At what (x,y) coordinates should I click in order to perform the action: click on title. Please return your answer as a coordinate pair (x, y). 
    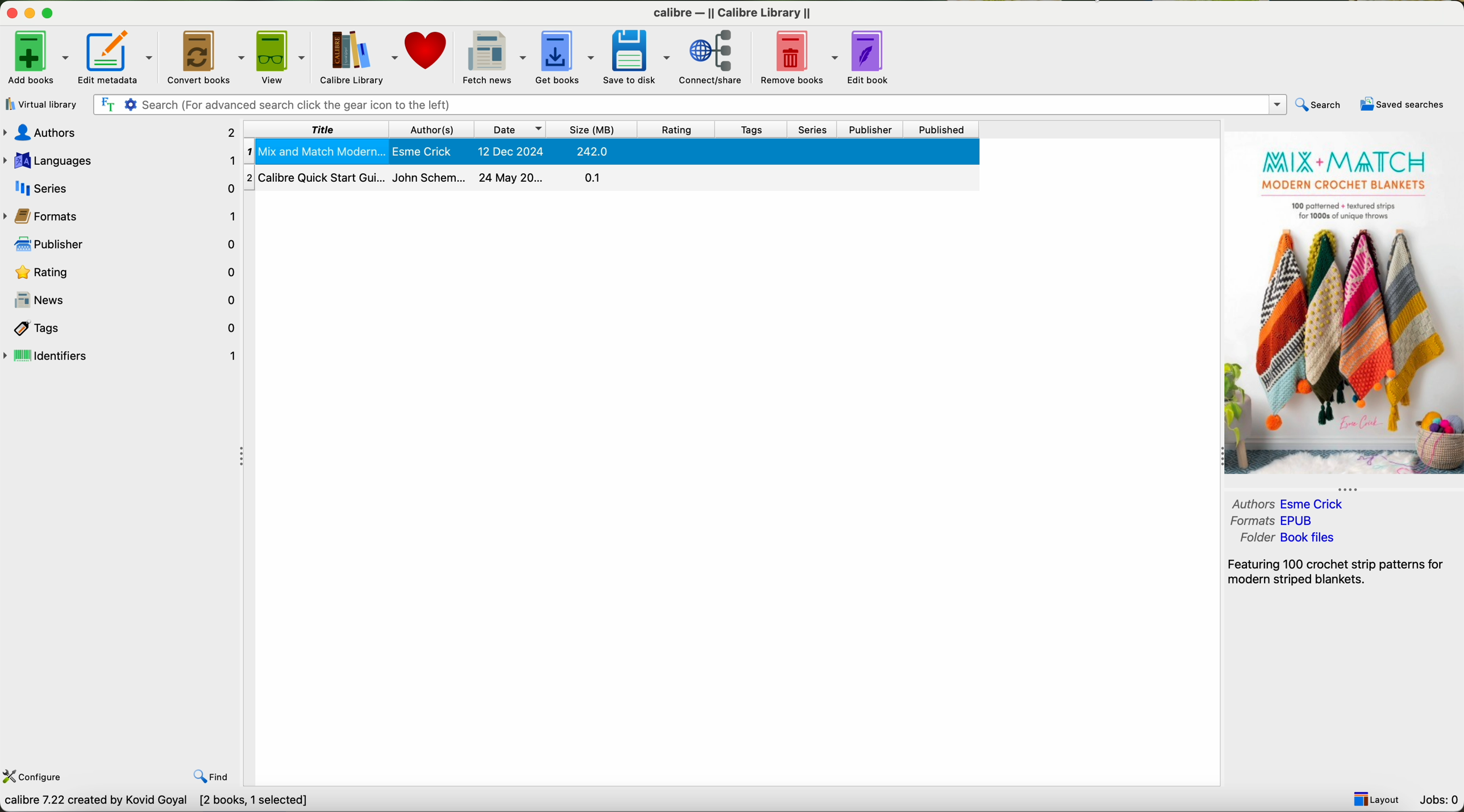
    Looking at the image, I should click on (318, 129).